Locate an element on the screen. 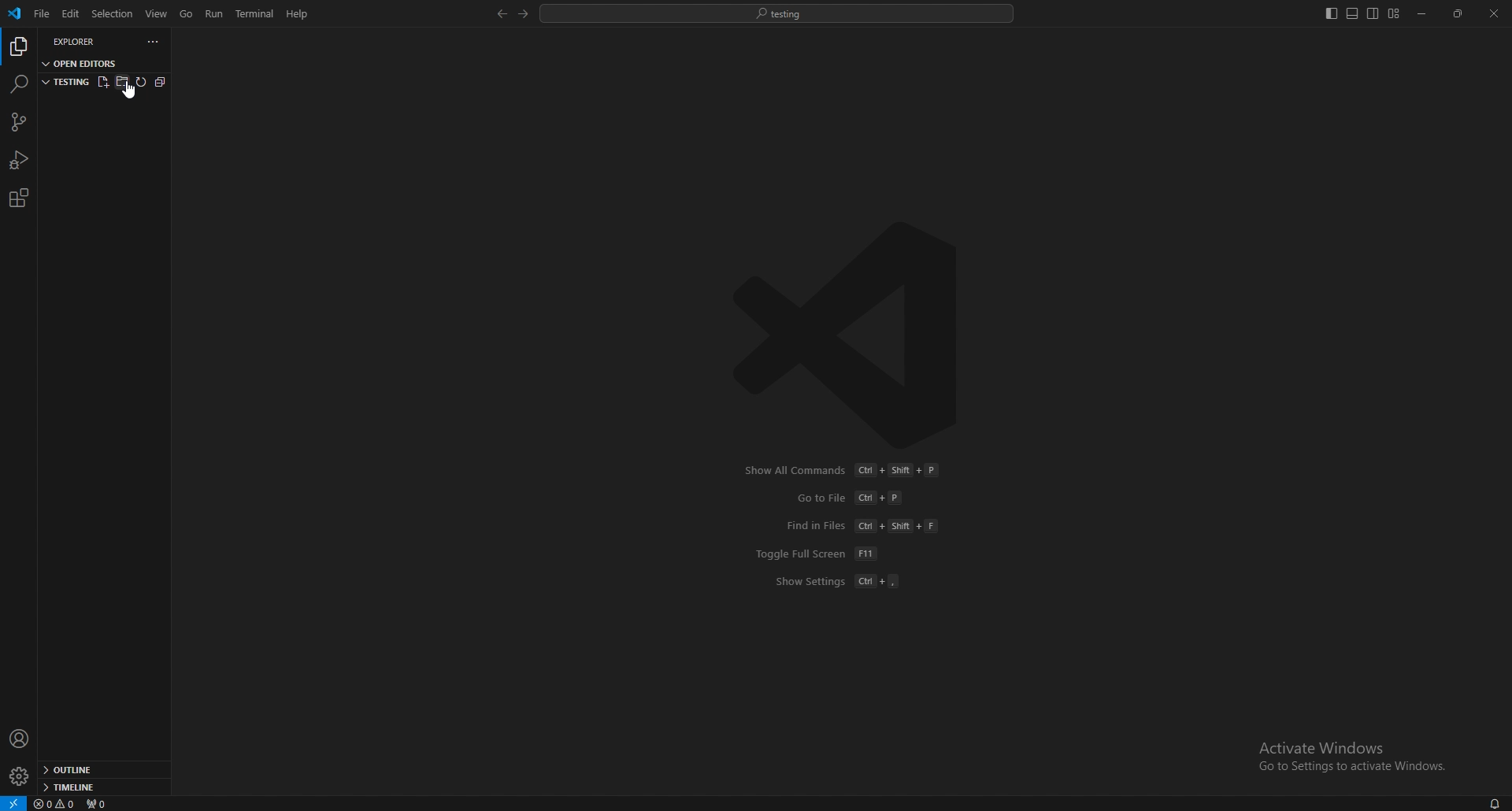 The height and width of the screenshot is (811, 1512). activate windows is located at coordinates (1347, 749).